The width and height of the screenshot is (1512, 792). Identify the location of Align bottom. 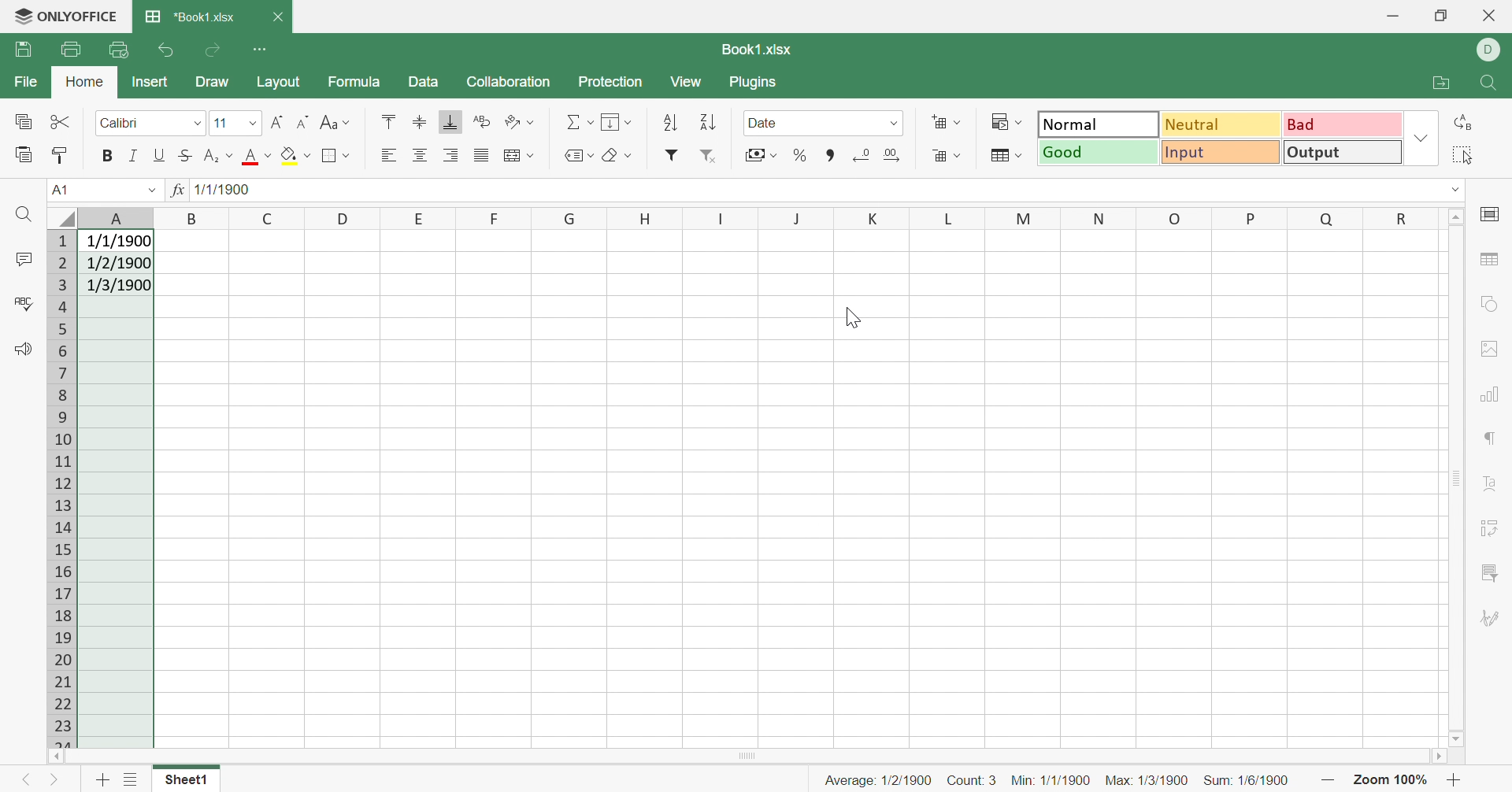
(450, 122).